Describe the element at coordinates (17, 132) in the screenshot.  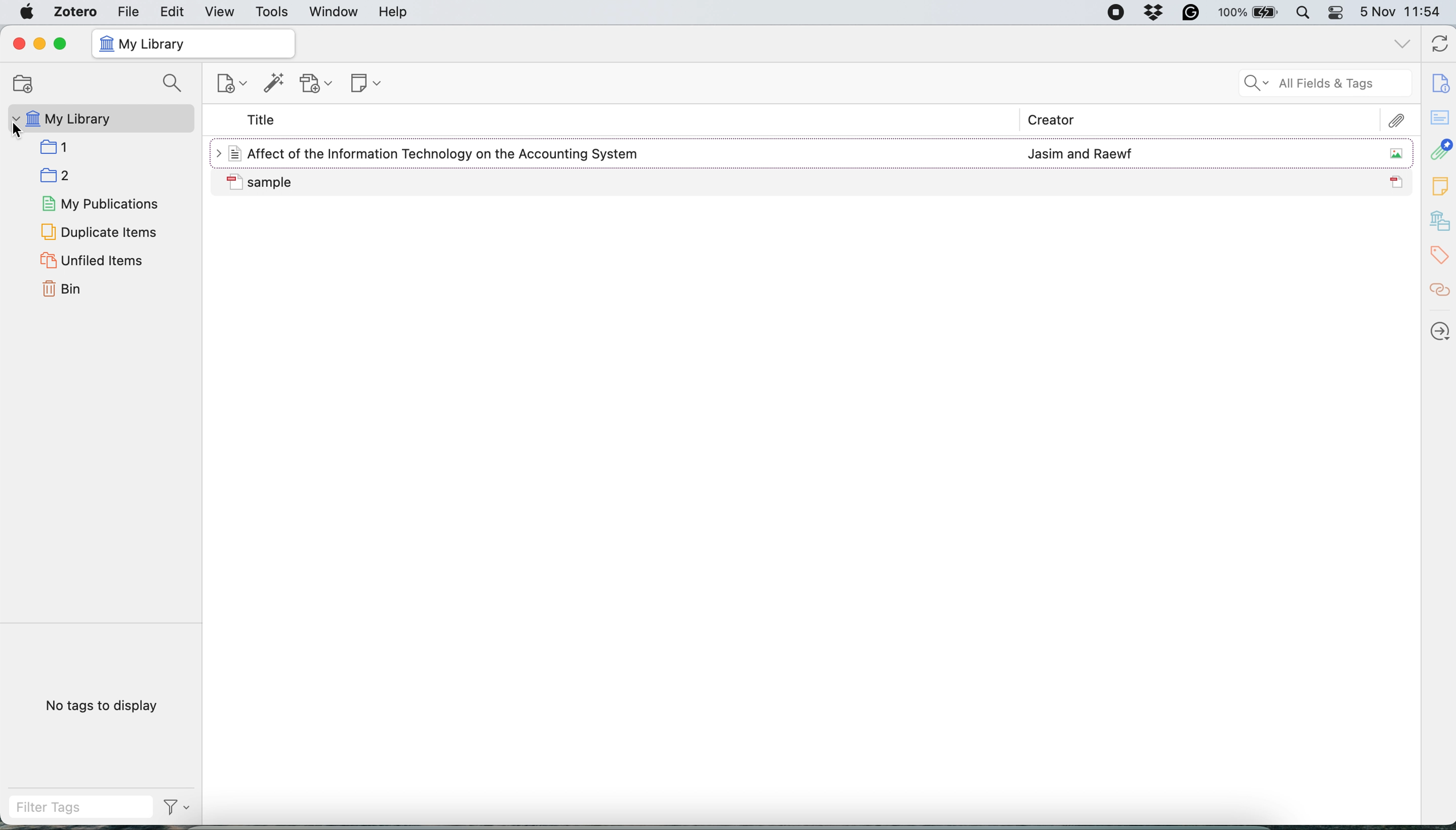
I see `cursor` at that location.